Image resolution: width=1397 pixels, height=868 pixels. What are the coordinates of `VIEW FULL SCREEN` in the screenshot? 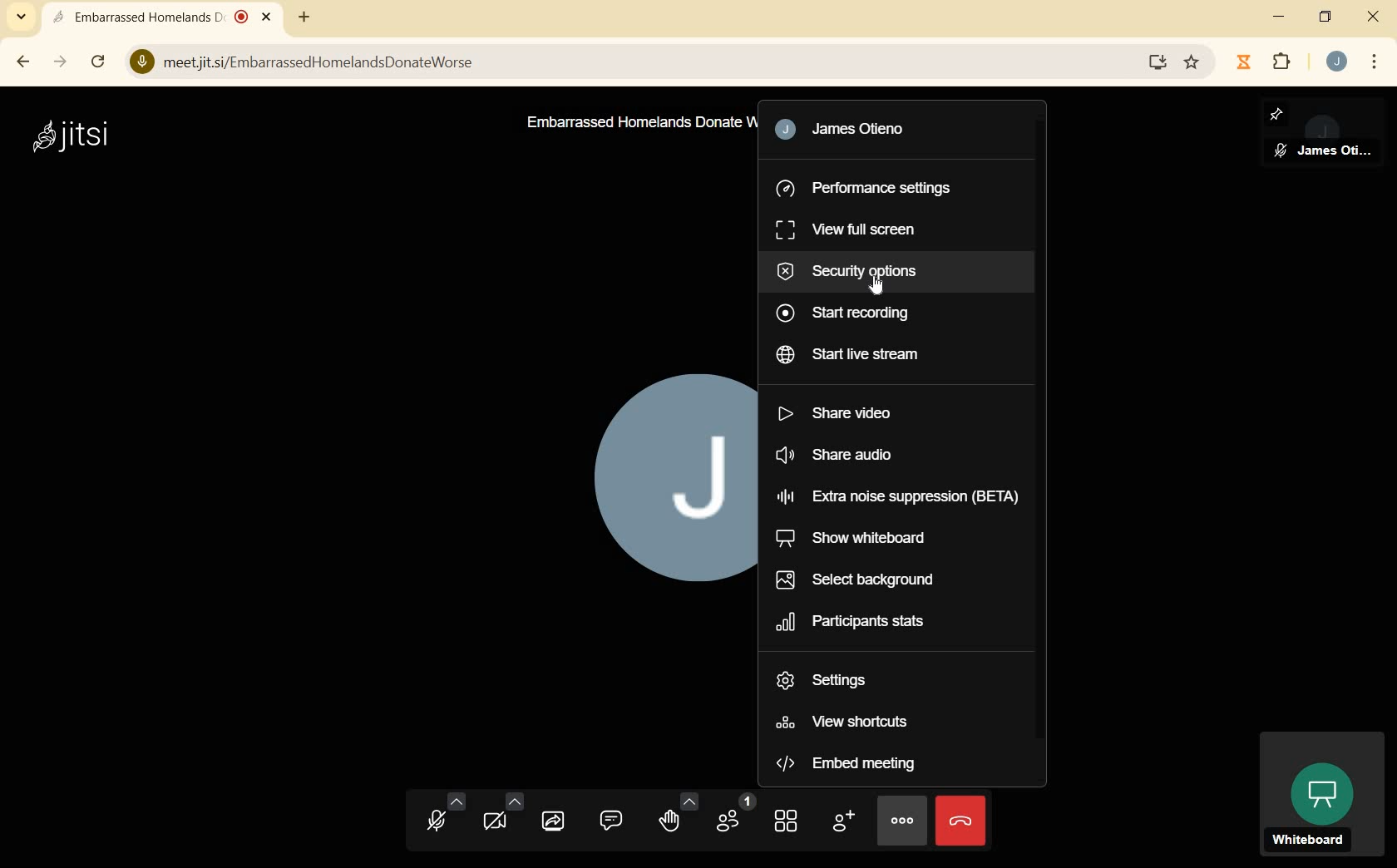 It's located at (859, 230).